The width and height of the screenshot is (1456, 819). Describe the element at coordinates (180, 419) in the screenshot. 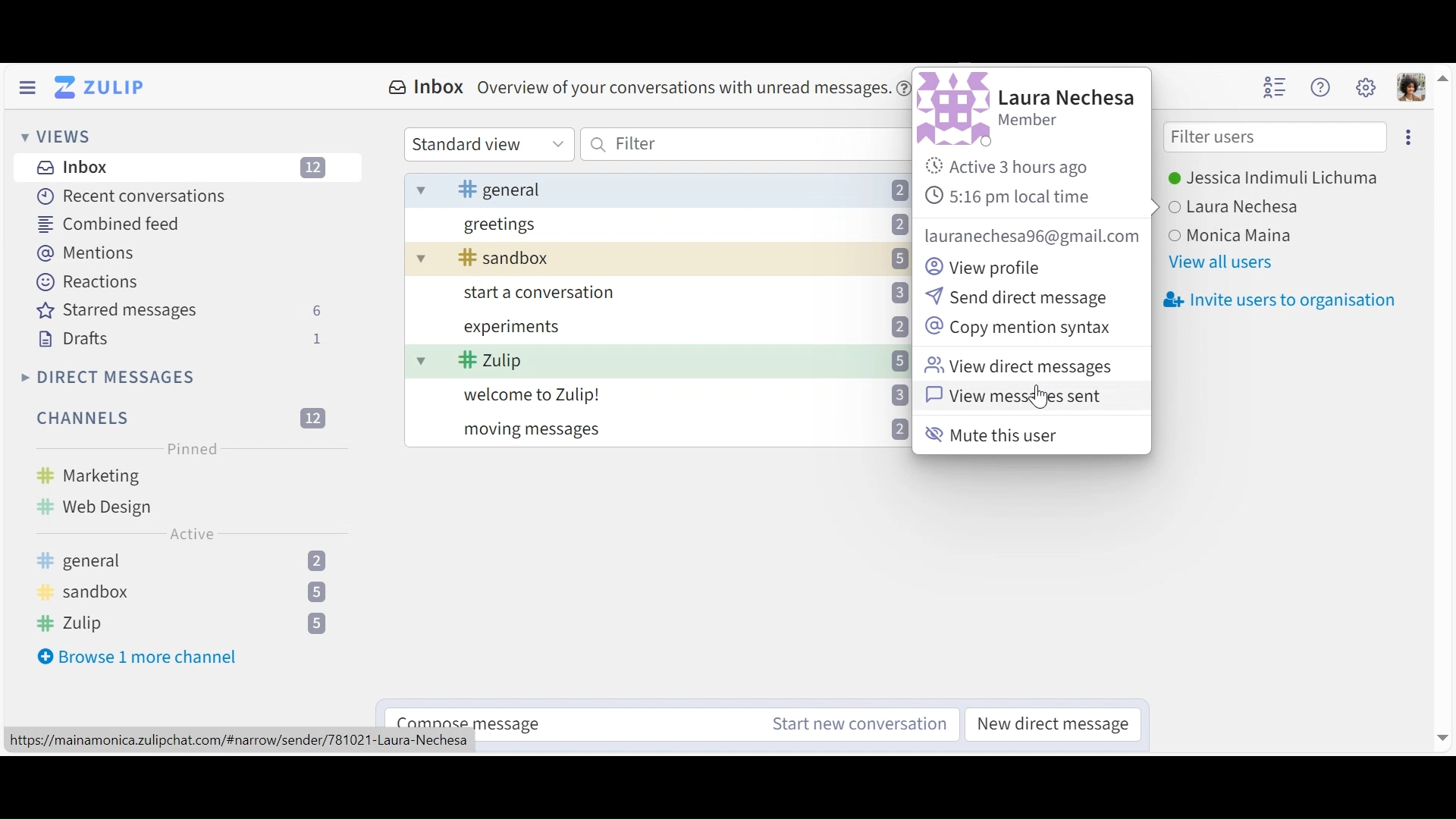

I see `Filter Channels` at that location.